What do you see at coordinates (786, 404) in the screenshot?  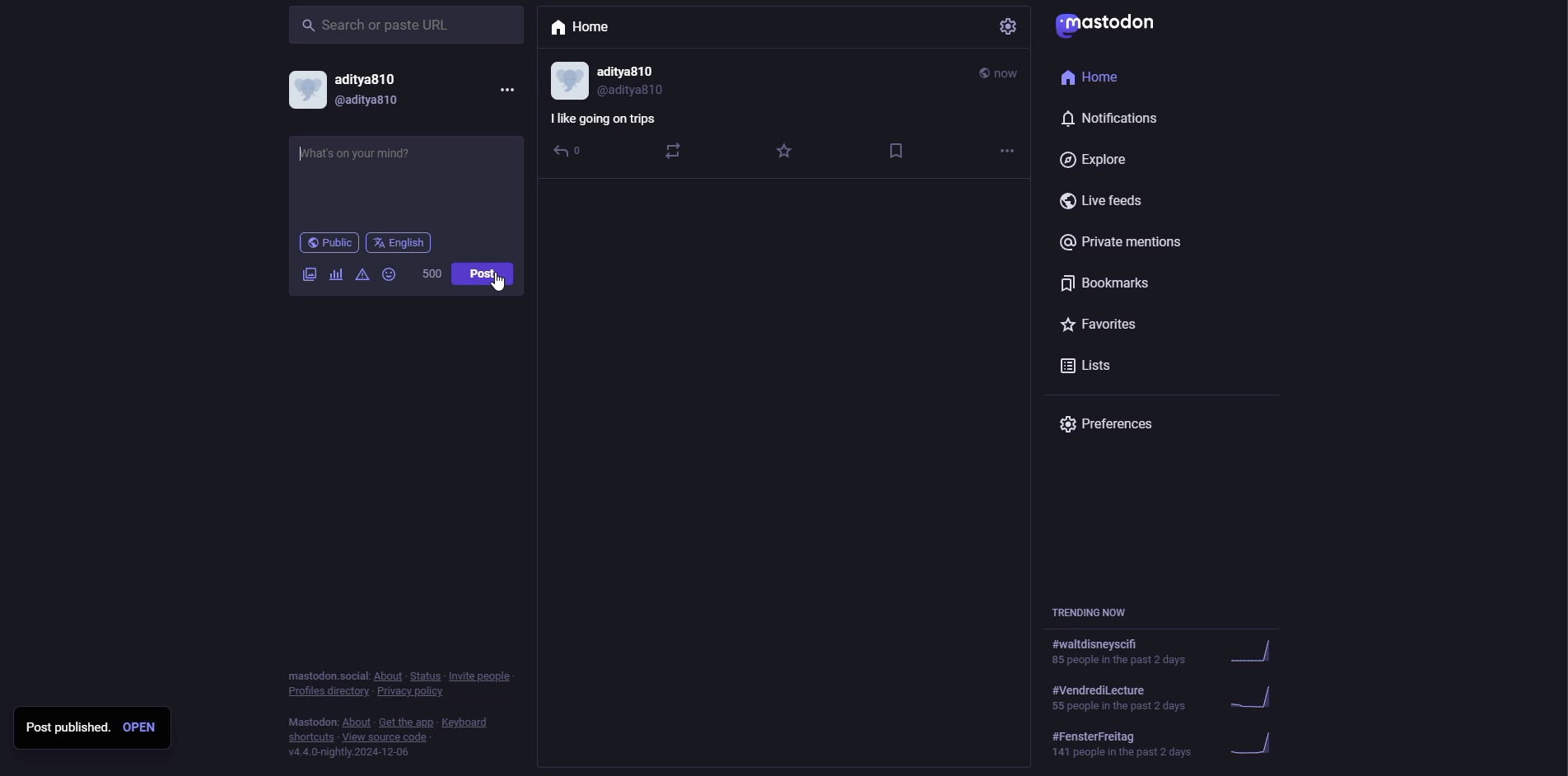 I see `empty` at bounding box center [786, 404].